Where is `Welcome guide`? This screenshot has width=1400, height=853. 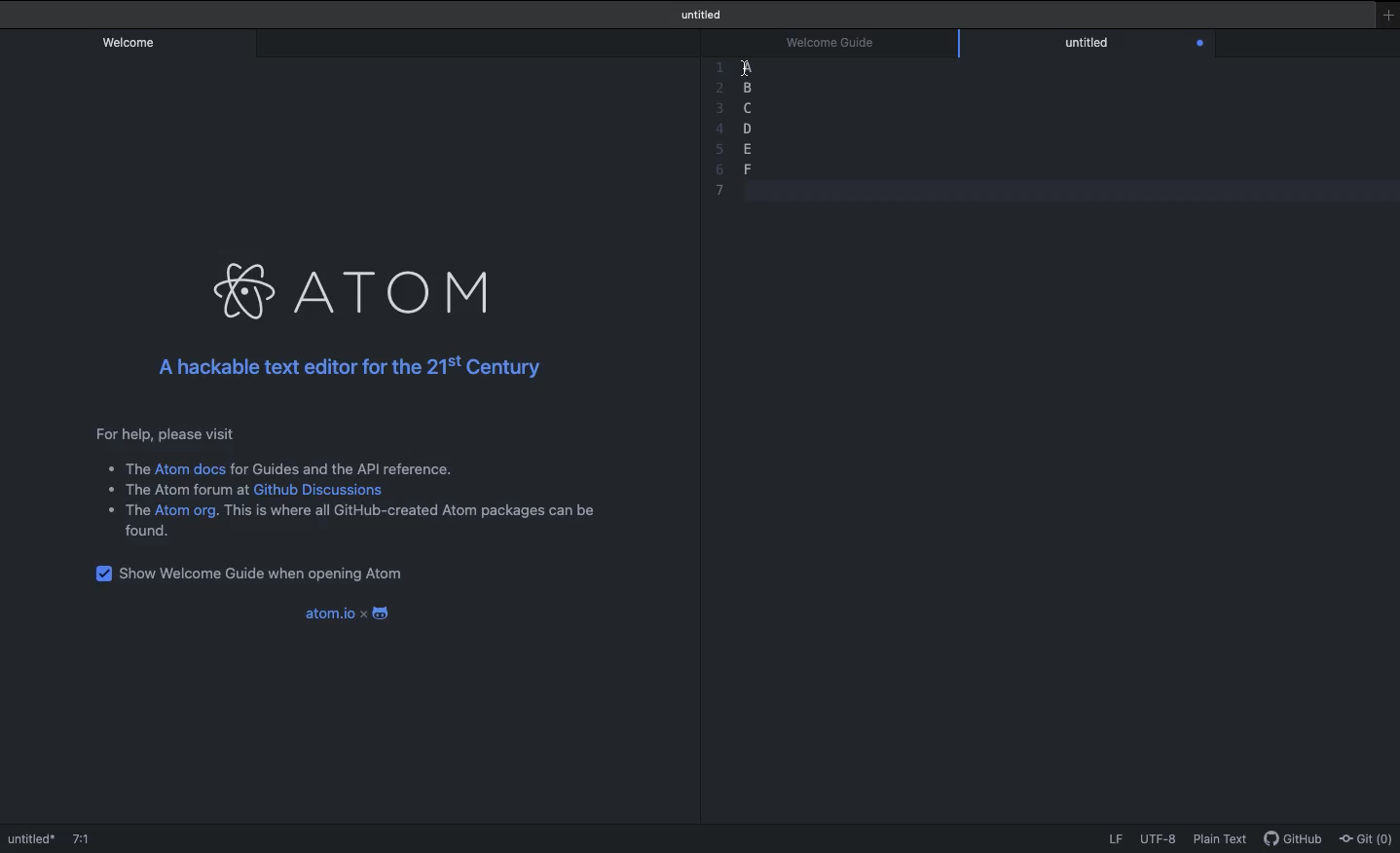 Welcome guide is located at coordinates (704, 15).